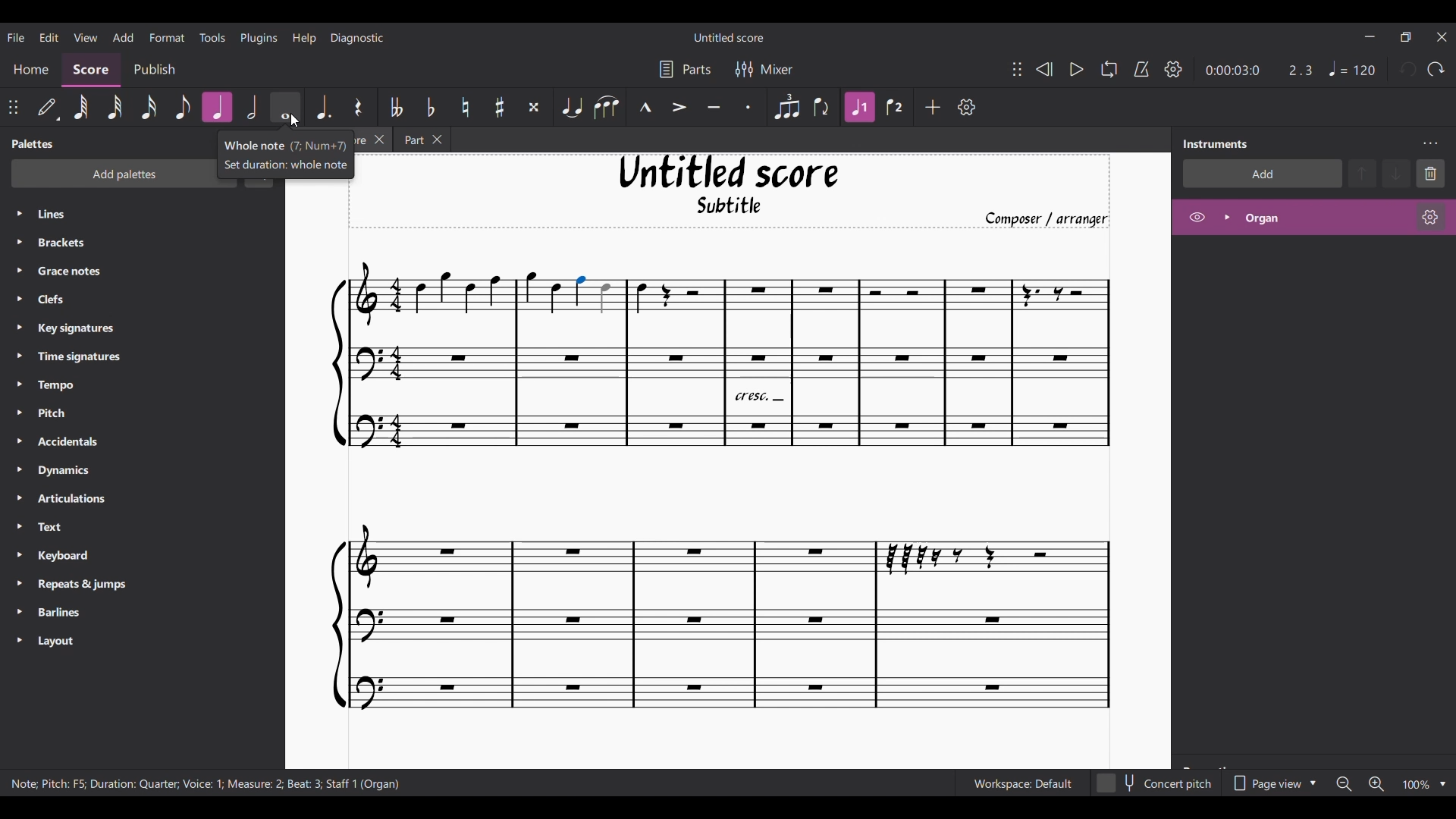 This screenshot has height=819, width=1456. What do you see at coordinates (1216, 144) in the screenshot?
I see `Panel title` at bounding box center [1216, 144].